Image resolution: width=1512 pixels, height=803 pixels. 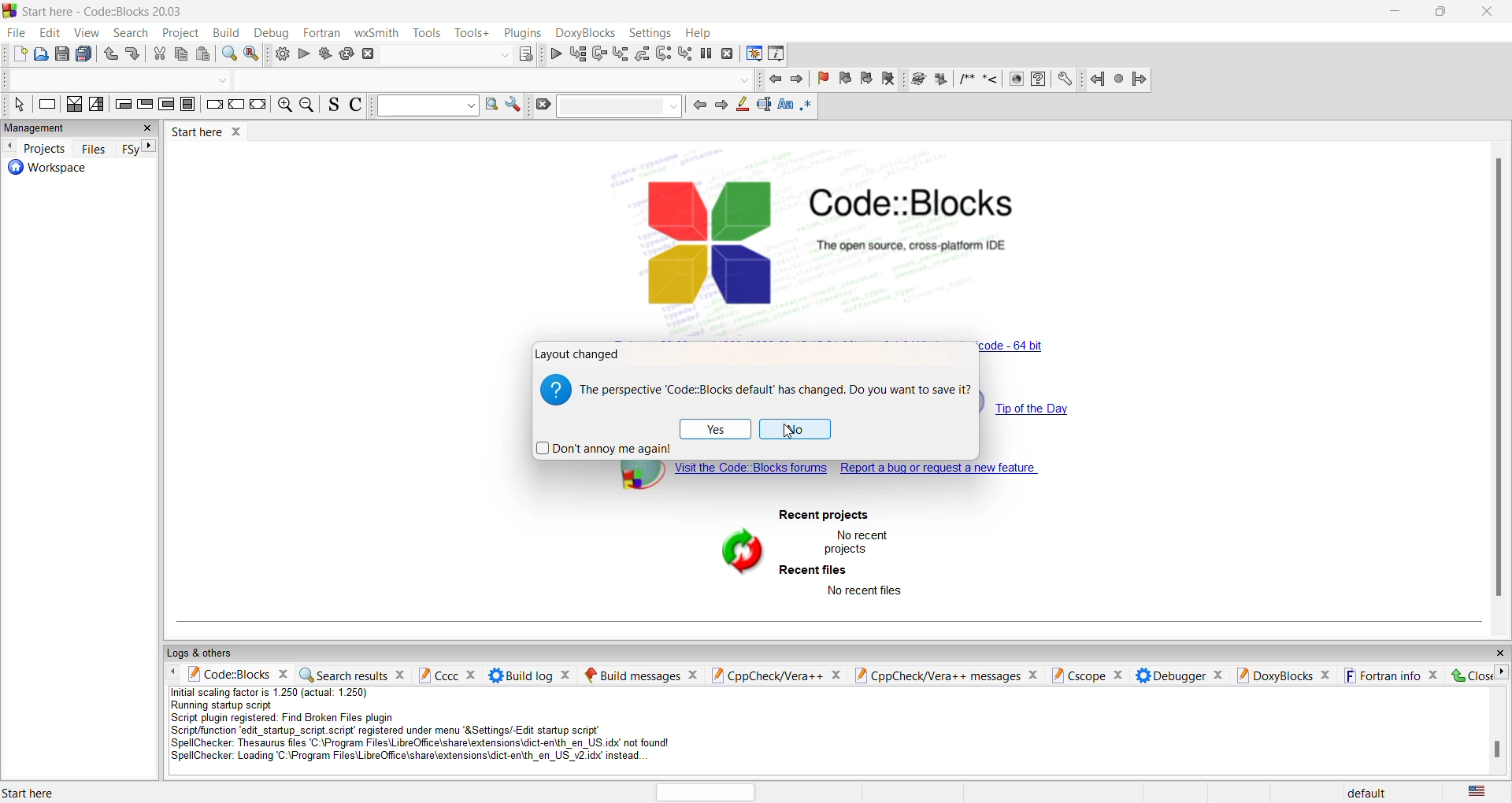 What do you see at coordinates (1434, 675) in the screenshot?
I see `close` at bounding box center [1434, 675].